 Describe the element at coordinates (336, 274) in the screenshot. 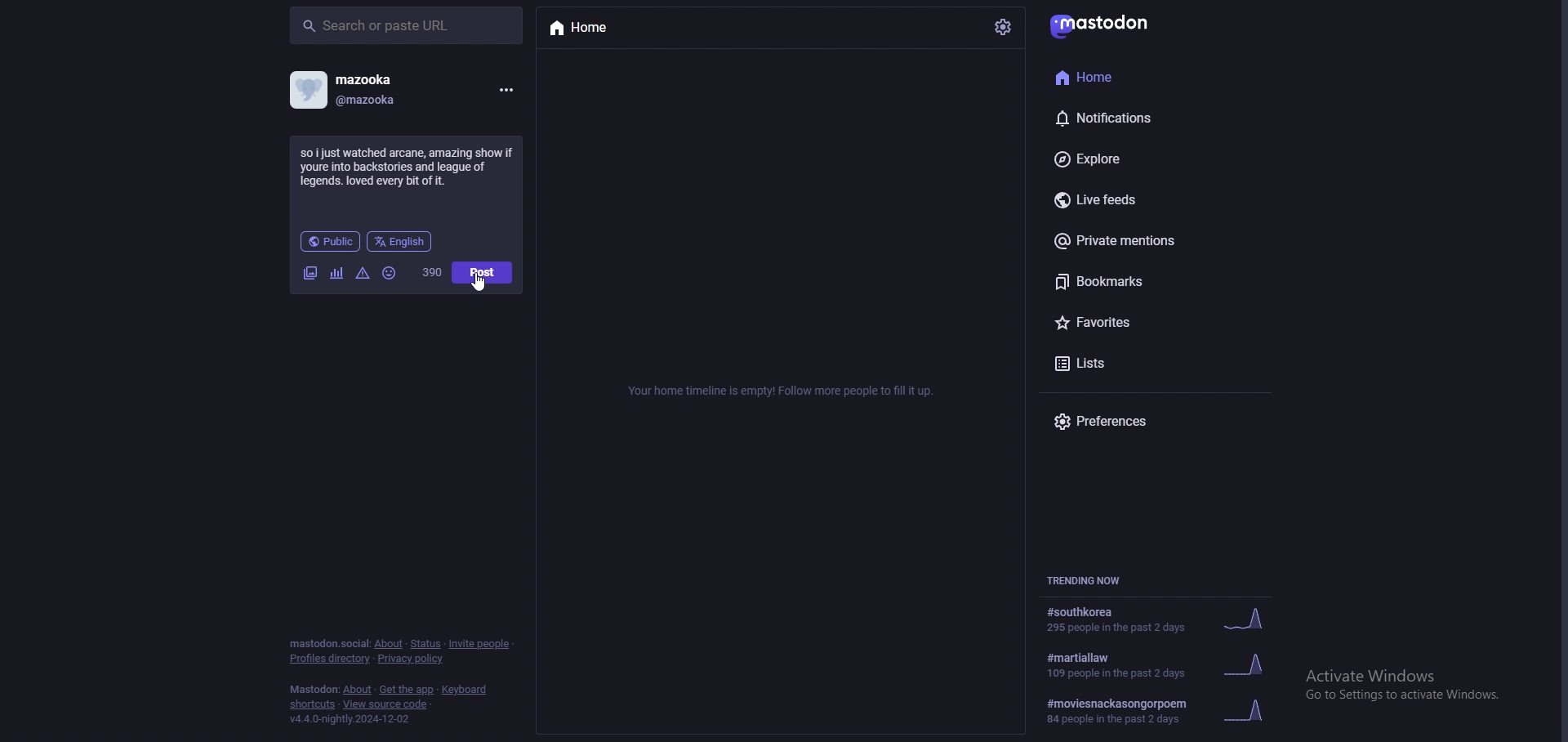

I see `polls` at that location.